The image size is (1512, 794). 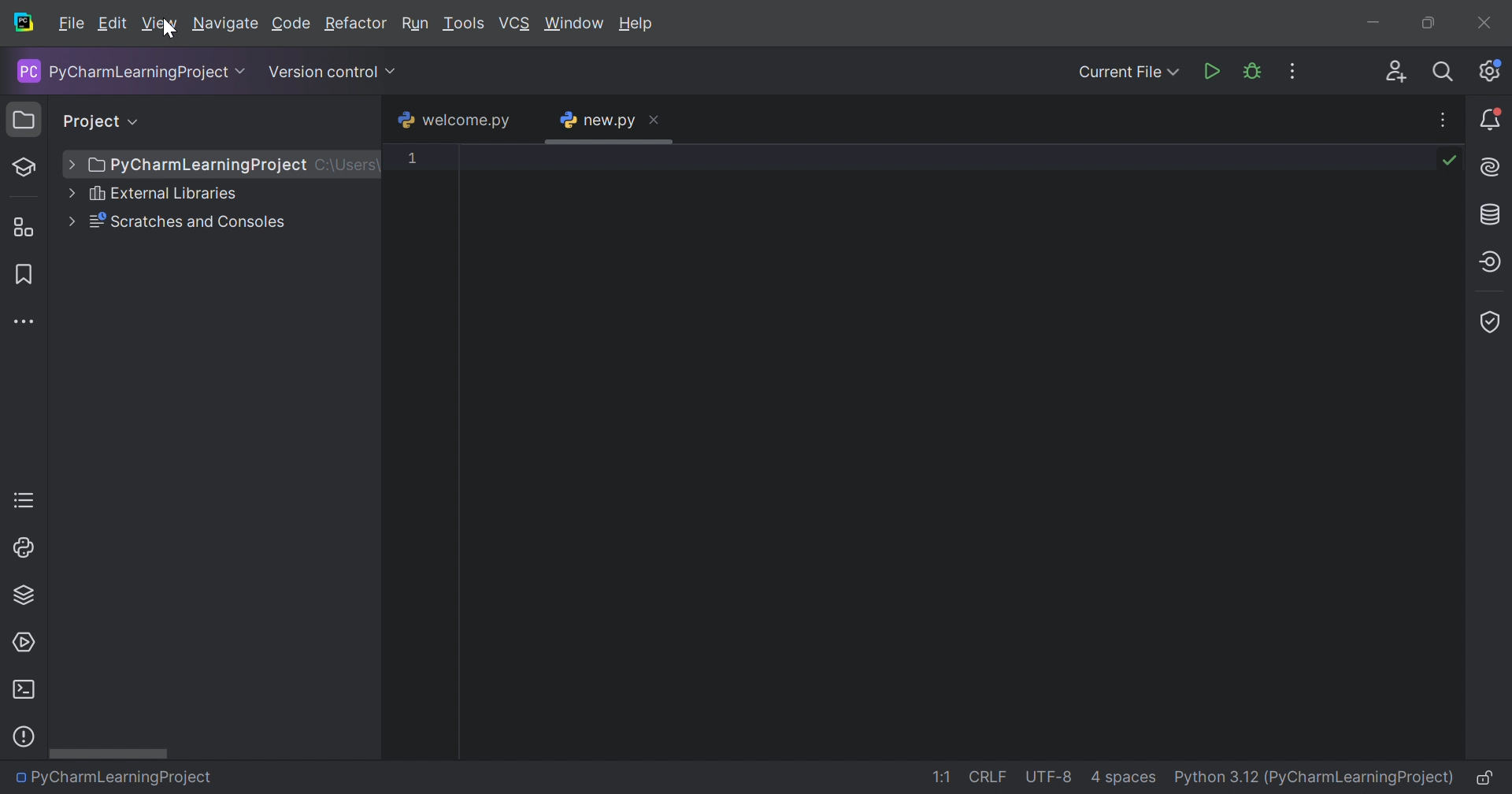 What do you see at coordinates (1377, 22) in the screenshot?
I see `Minimize` at bounding box center [1377, 22].